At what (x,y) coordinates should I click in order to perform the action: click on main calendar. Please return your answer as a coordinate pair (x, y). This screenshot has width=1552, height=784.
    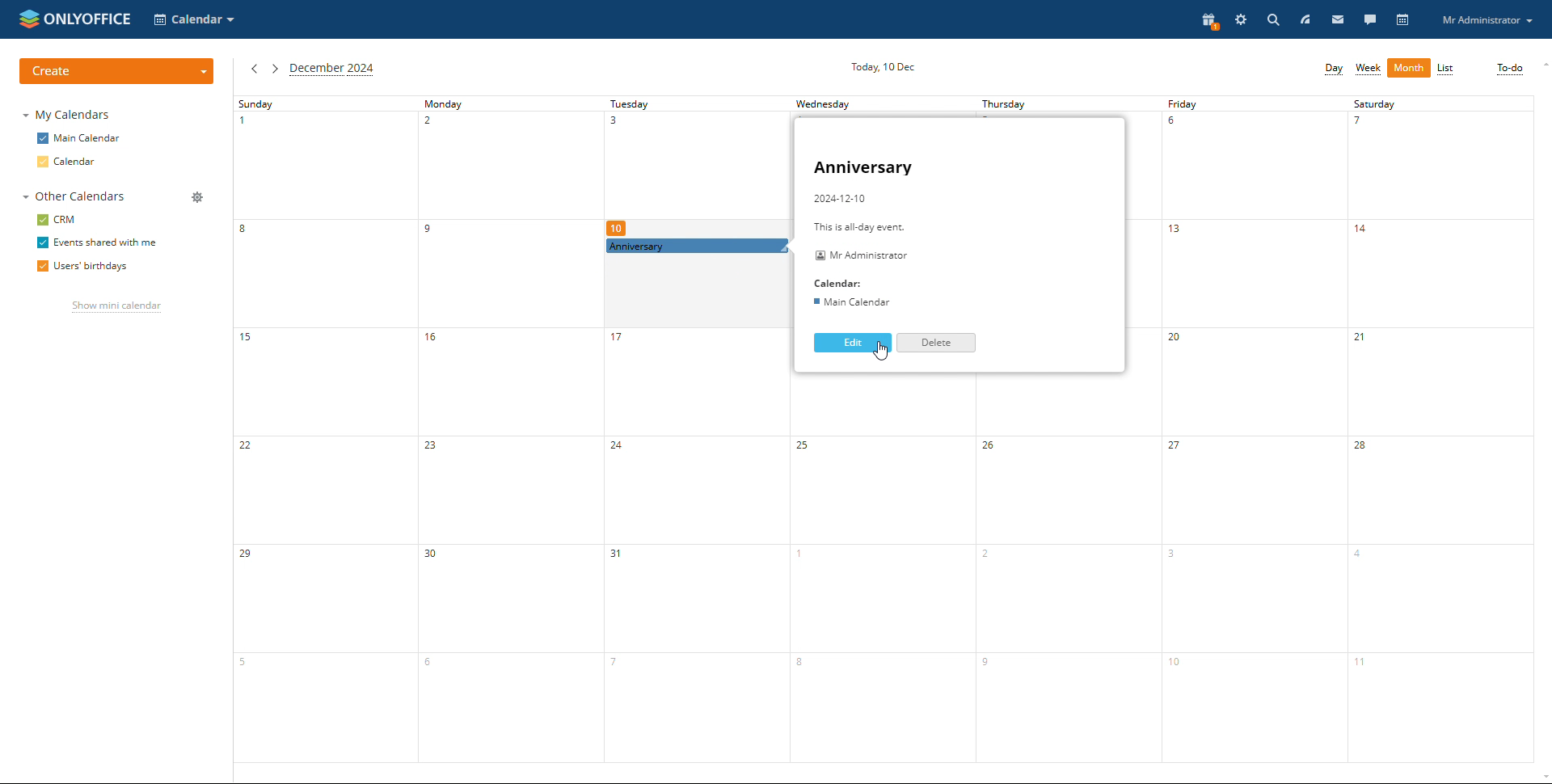
    Looking at the image, I should click on (78, 139).